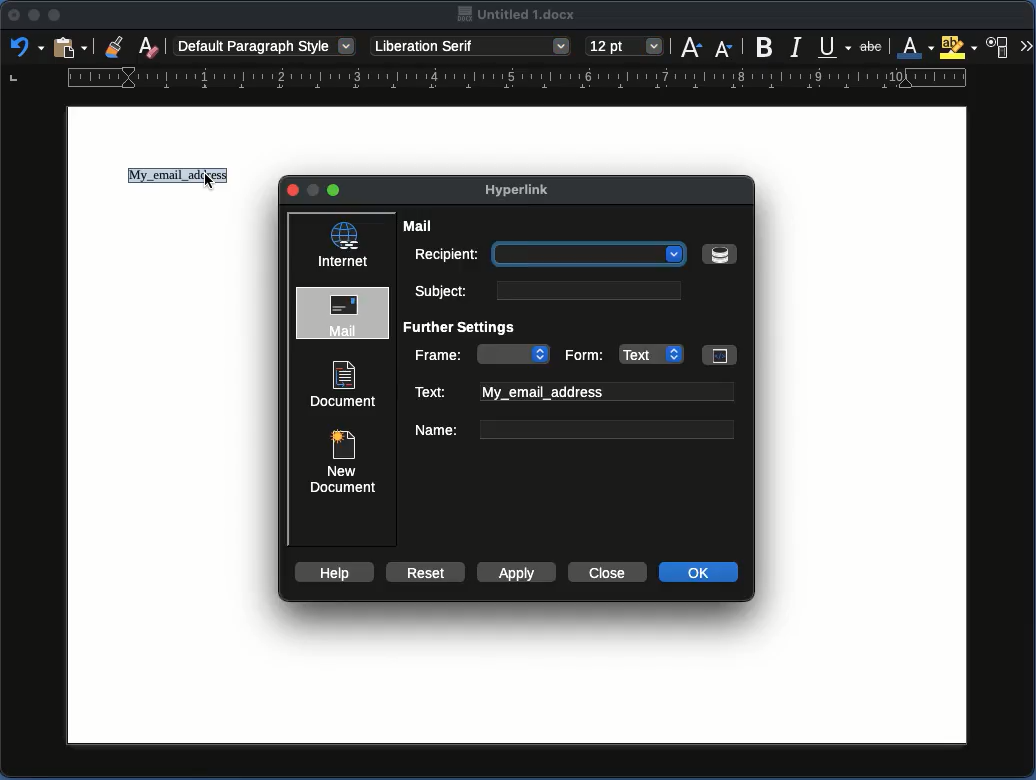 Image resolution: width=1036 pixels, height=780 pixels. What do you see at coordinates (873, 47) in the screenshot?
I see `abc` at bounding box center [873, 47].